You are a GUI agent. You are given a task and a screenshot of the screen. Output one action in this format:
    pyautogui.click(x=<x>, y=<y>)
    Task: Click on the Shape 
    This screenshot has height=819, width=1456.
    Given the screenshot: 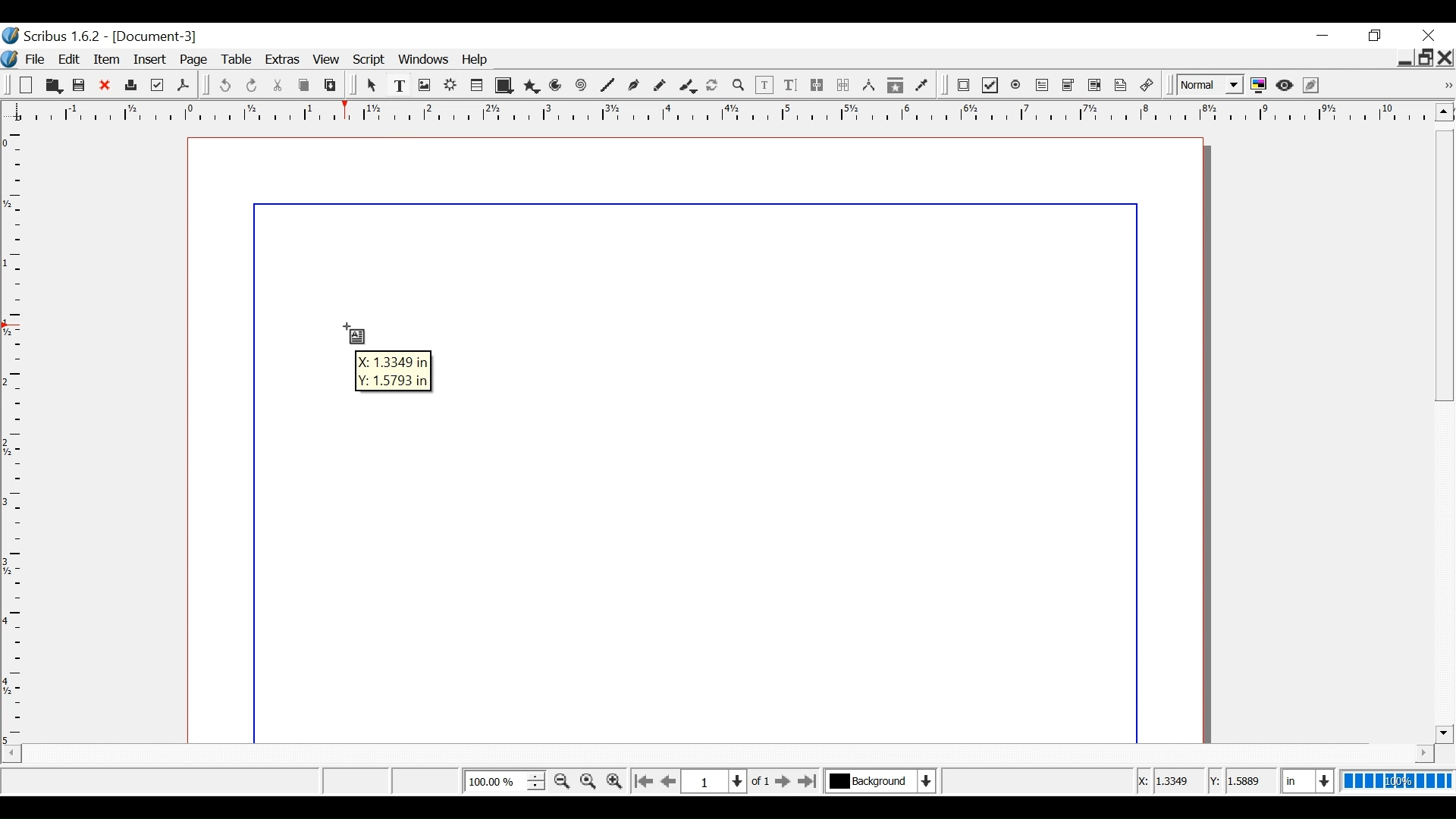 What is the action you would take?
    pyautogui.click(x=506, y=86)
    